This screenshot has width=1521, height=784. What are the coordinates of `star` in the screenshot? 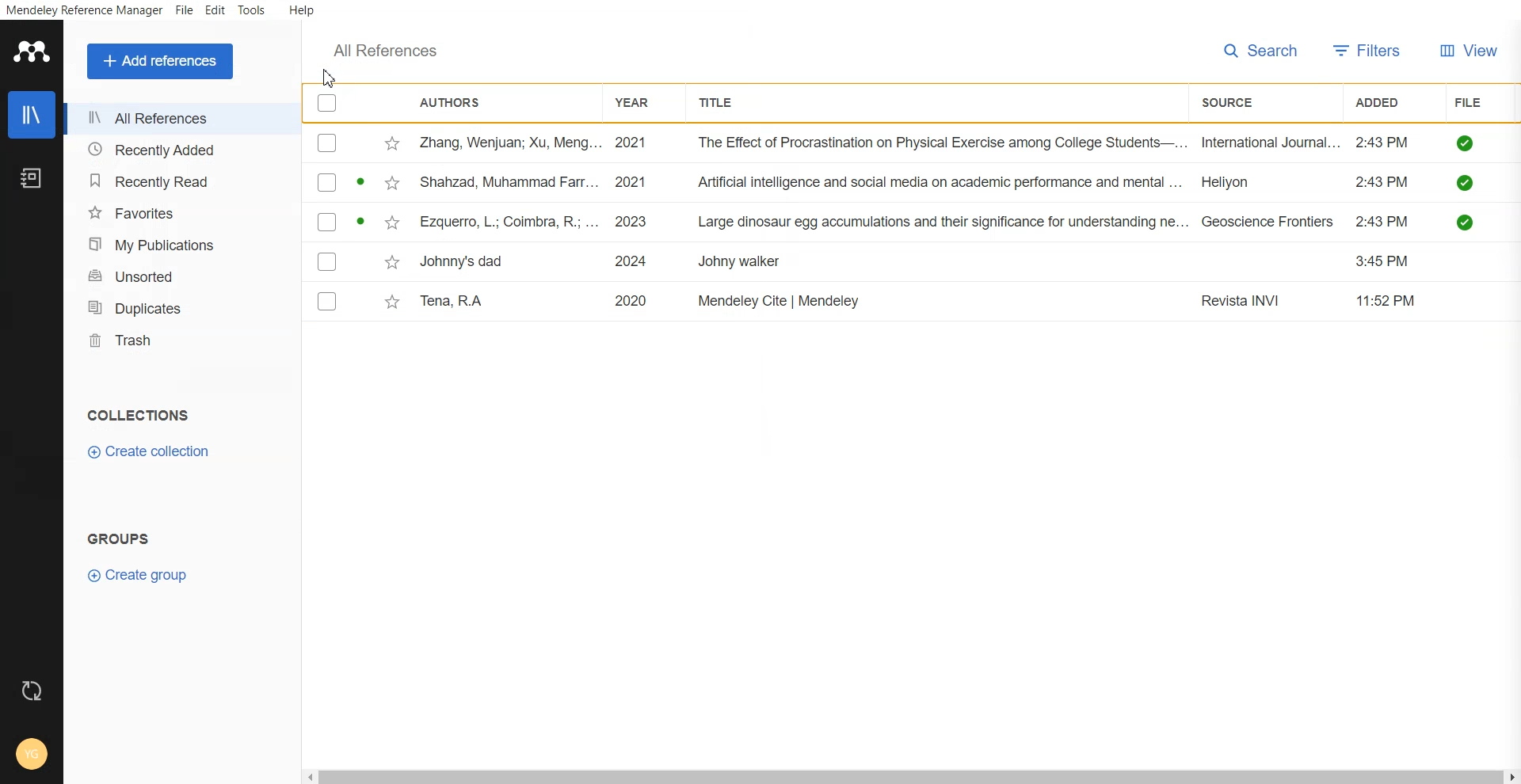 It's located at (390, 224).